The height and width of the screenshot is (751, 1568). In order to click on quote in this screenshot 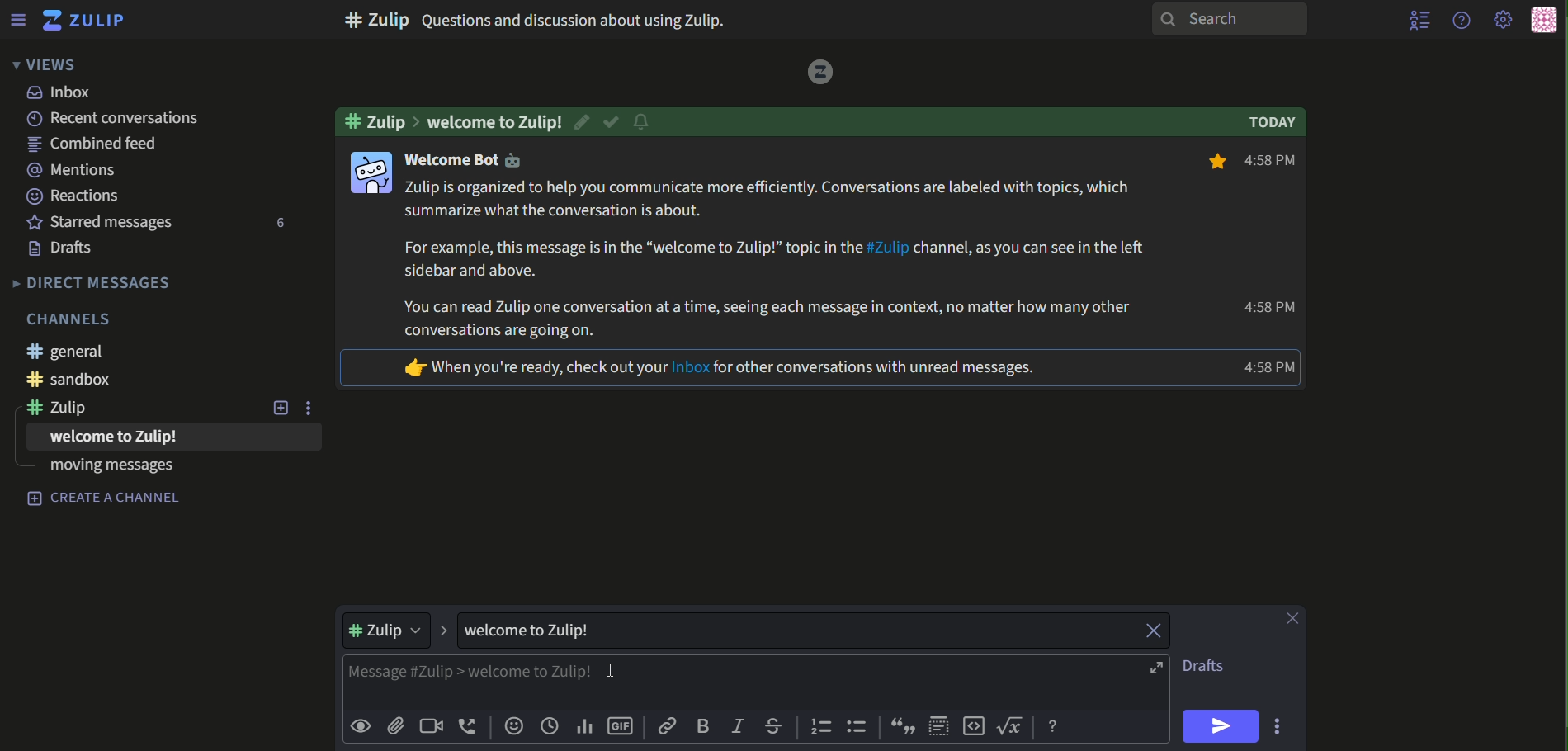, I will do `click(904, 728)`.